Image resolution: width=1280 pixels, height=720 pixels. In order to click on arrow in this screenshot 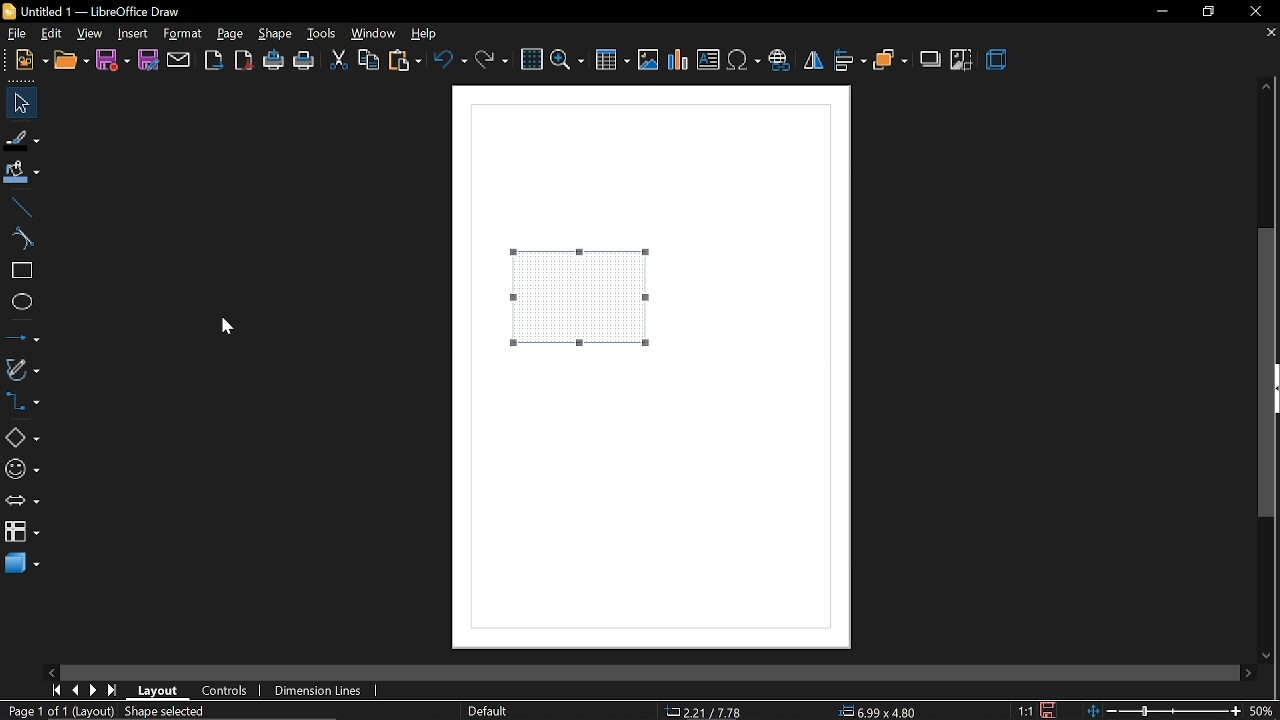, I will do `click(20, 502)`.